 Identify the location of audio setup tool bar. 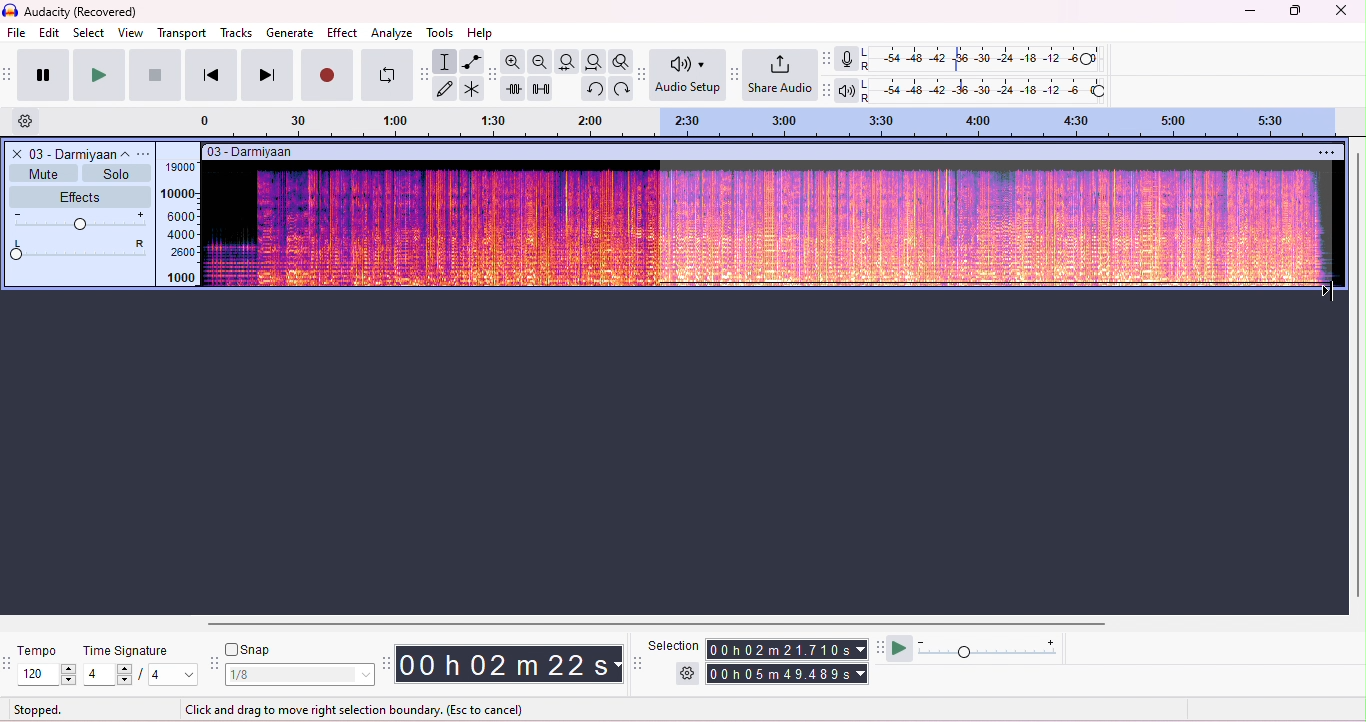
(640, 74).